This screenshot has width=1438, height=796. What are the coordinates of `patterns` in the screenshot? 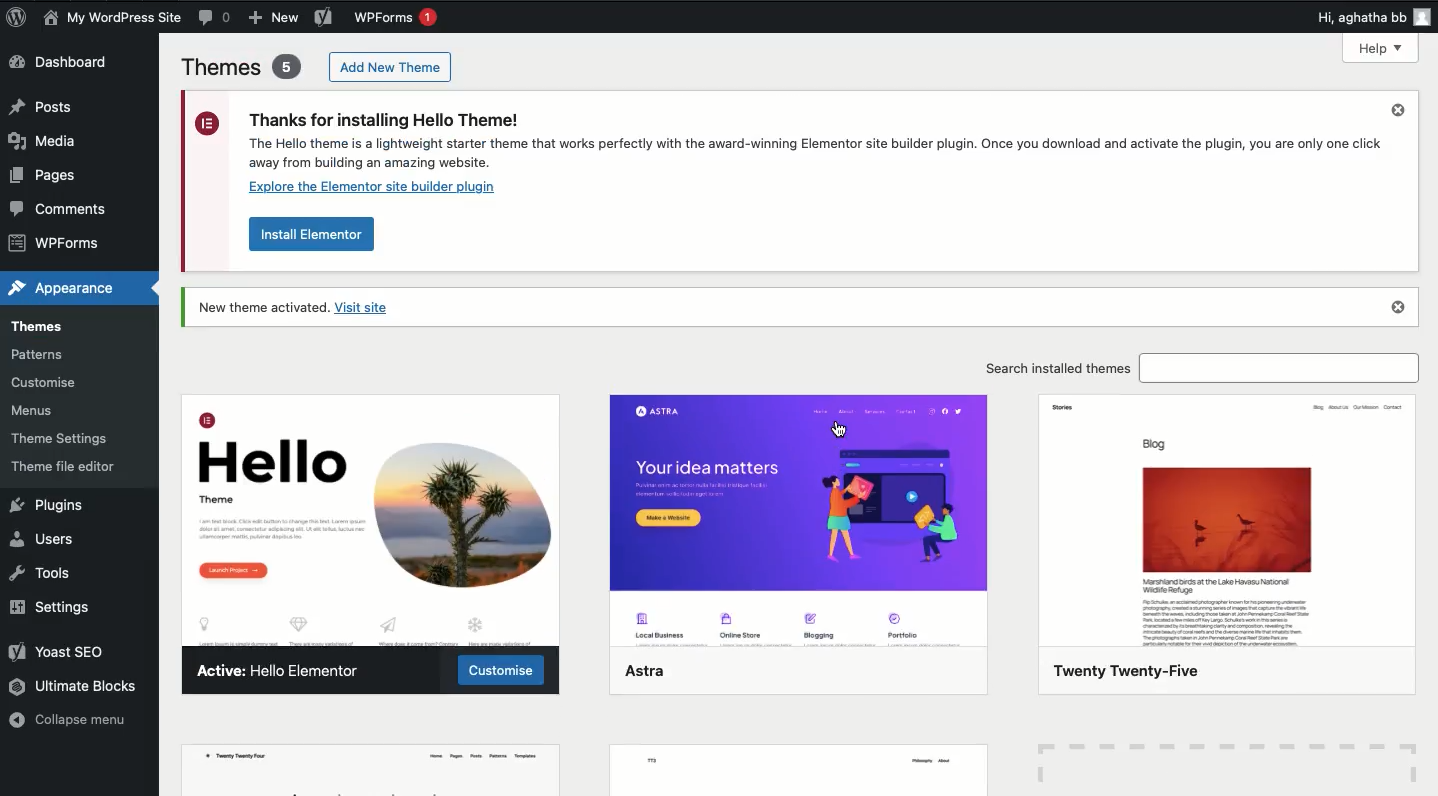 It's located at (61, 354).